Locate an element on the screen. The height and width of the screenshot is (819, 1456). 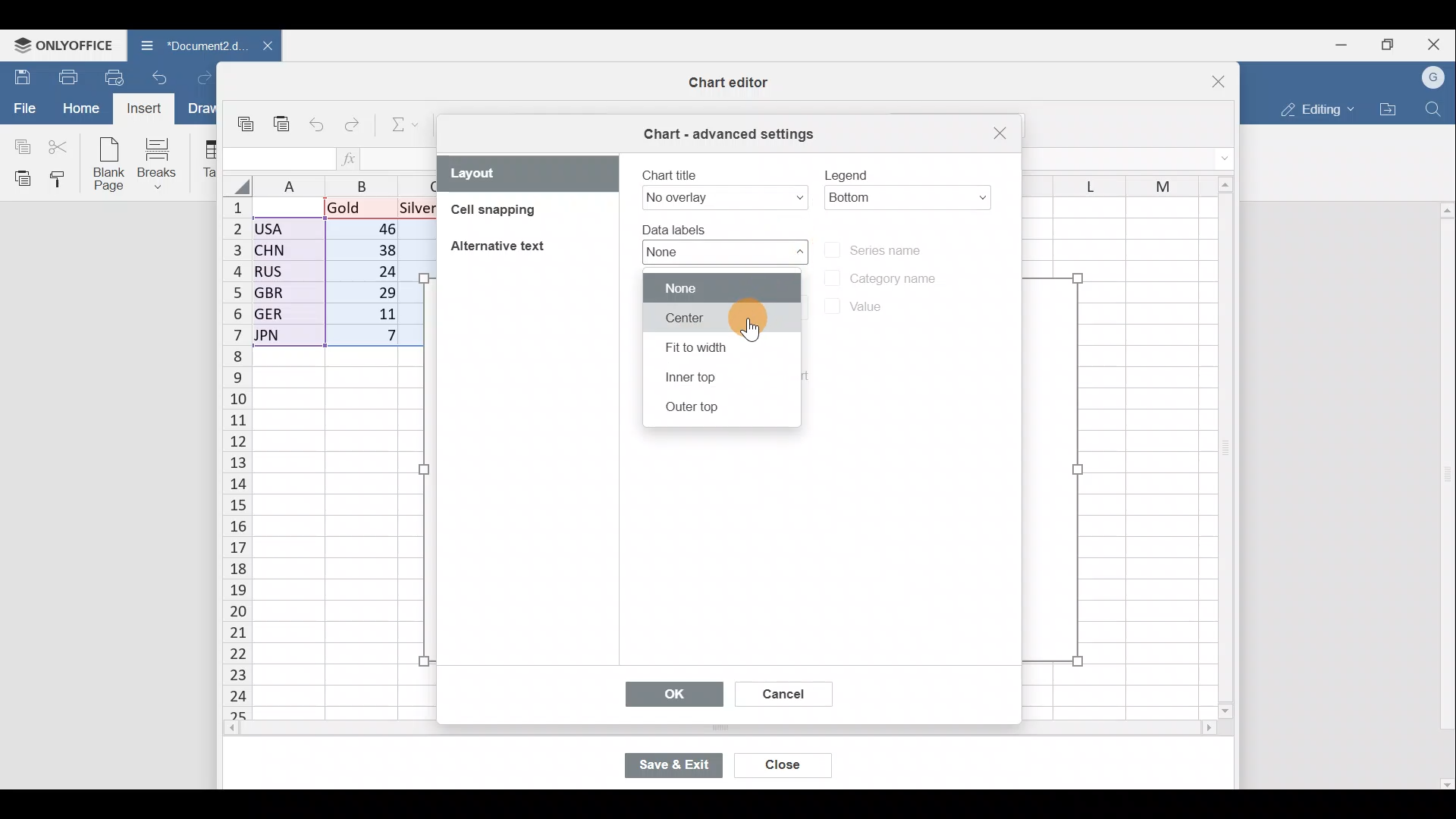
ONLYOFFICE Menu is located at coordinates (61, 45).